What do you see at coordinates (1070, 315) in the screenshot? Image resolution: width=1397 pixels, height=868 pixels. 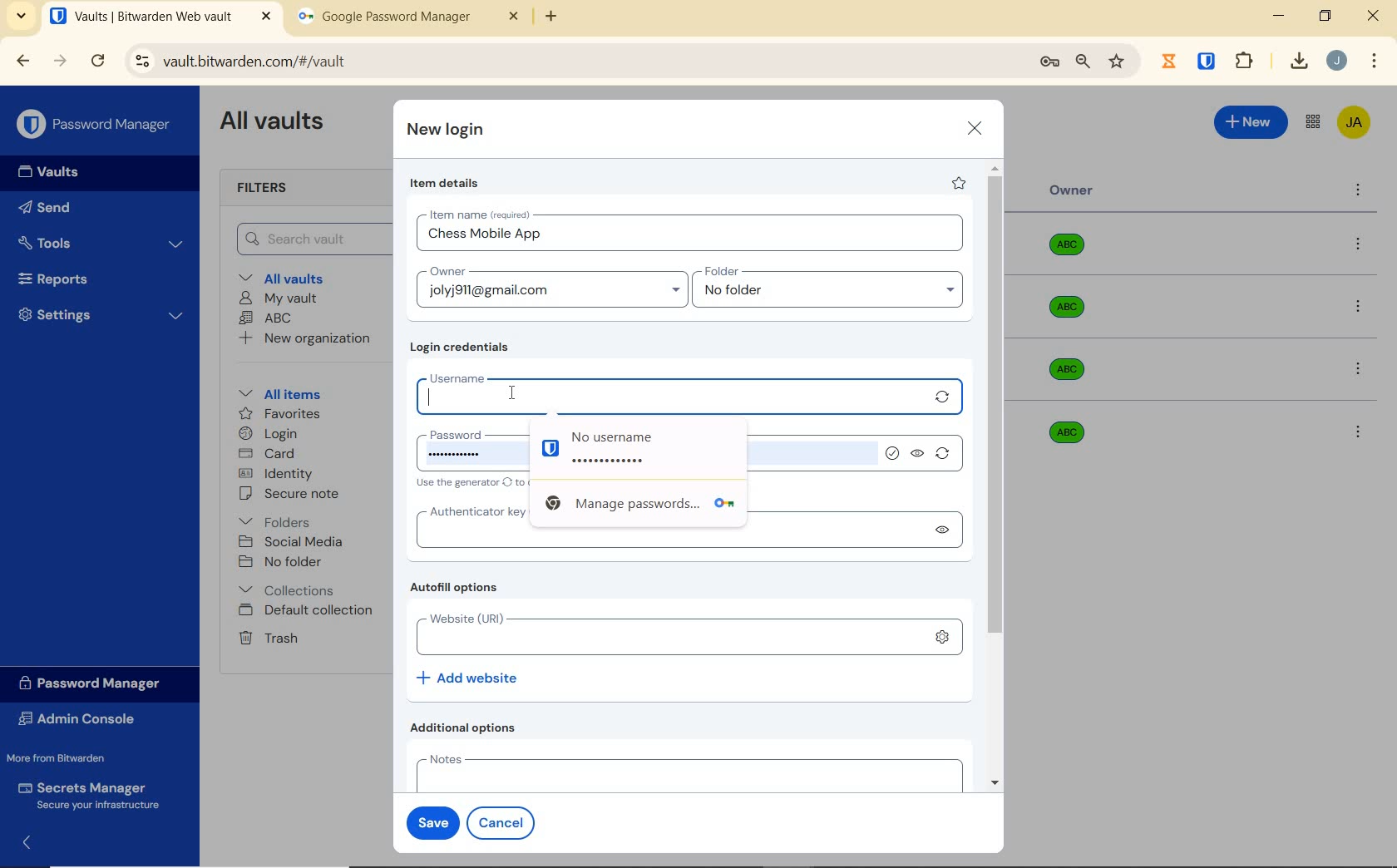 I see `Owner organization` at bounding box center [1070, 315].